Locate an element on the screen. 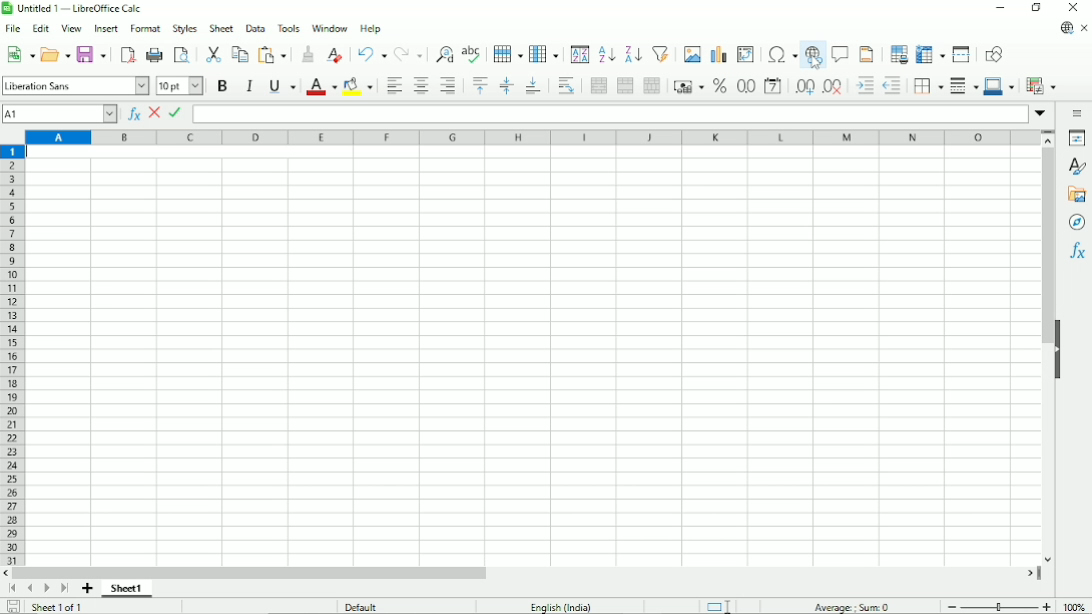 The width and height of the screenshot is (1092, 614). Sort ascending is located at coordinates (607, 55).